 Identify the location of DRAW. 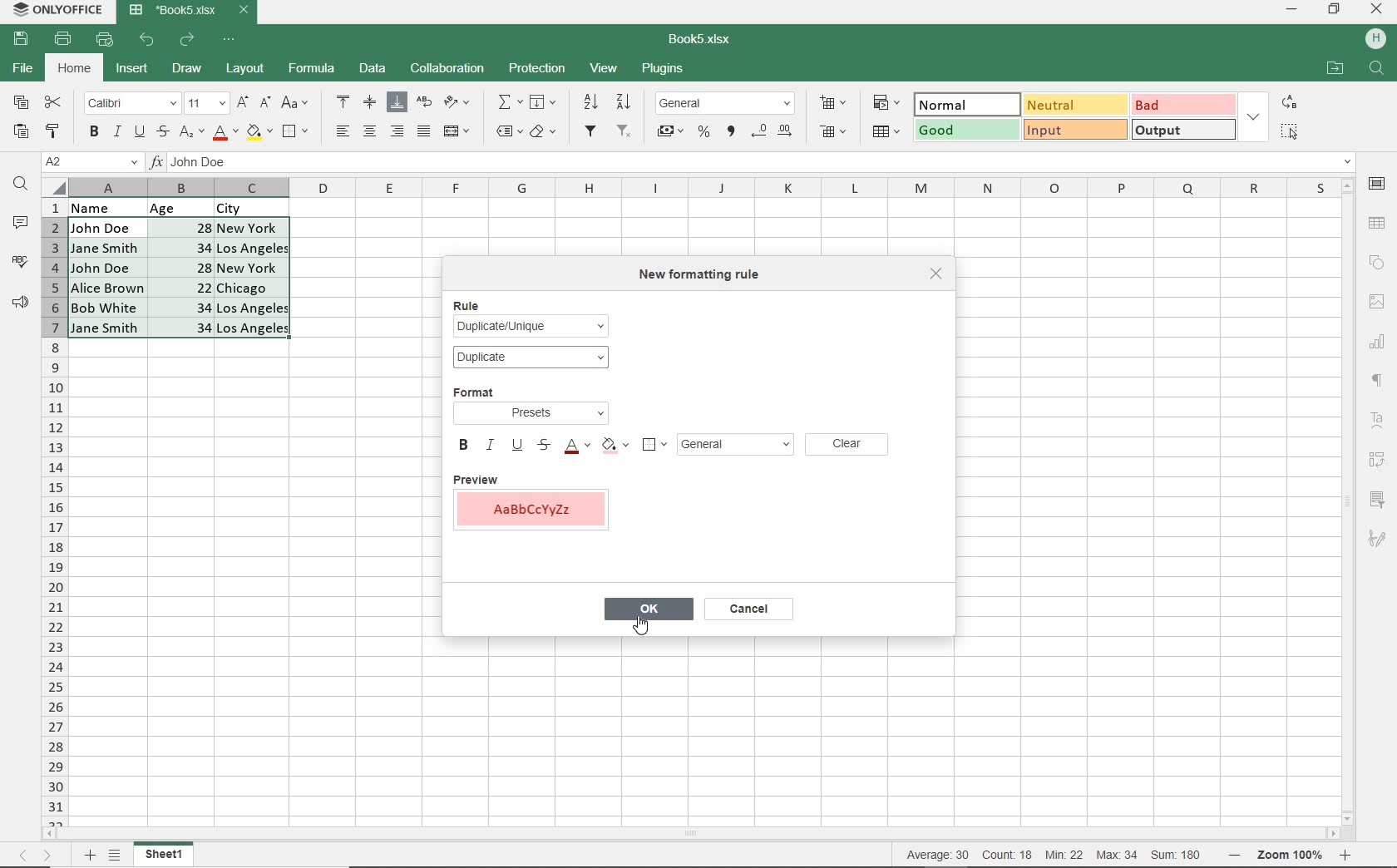
(188, 68).